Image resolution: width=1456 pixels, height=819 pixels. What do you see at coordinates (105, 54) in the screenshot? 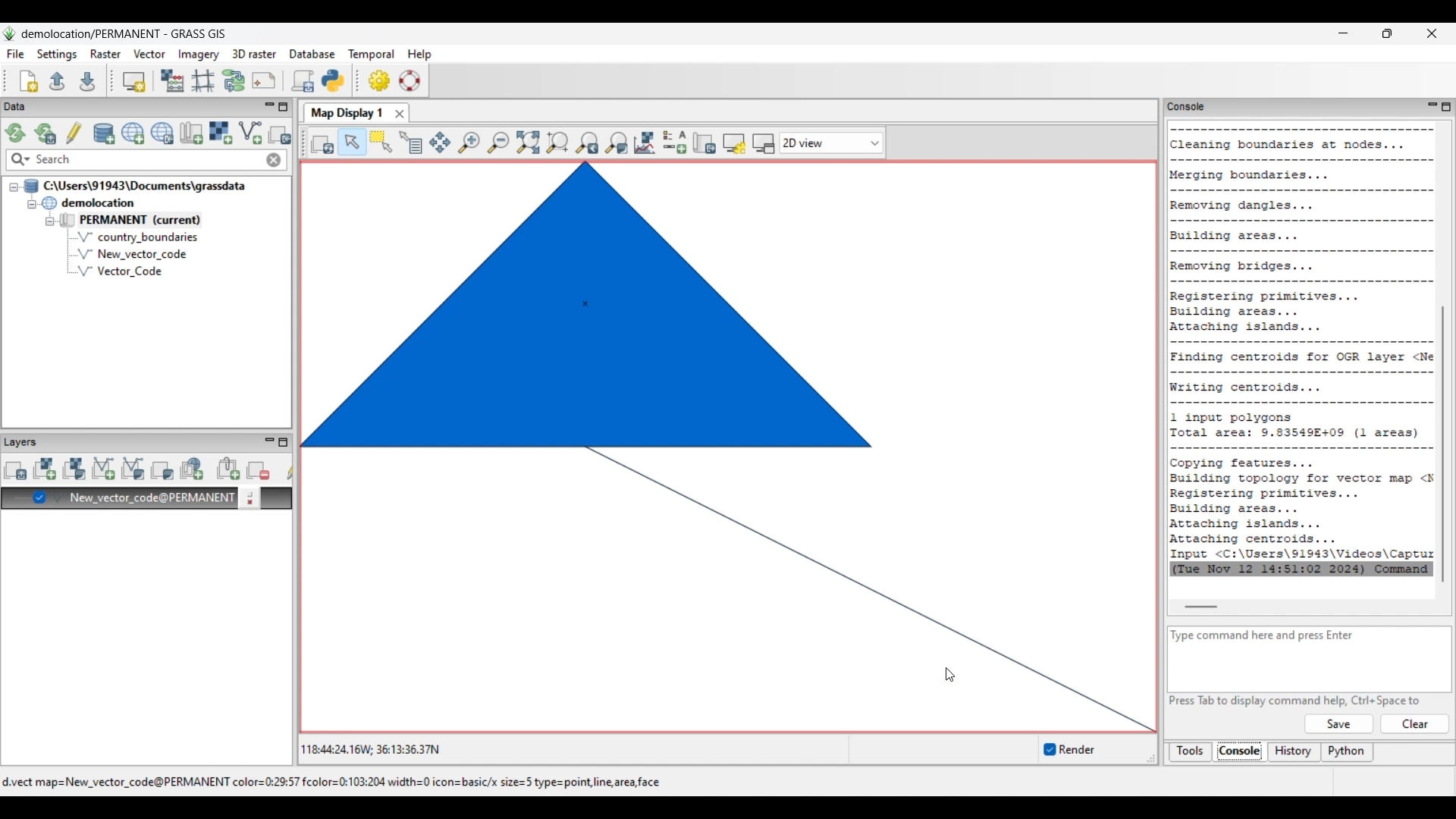
I see `Raster menu` at bounding box center [105, 54].